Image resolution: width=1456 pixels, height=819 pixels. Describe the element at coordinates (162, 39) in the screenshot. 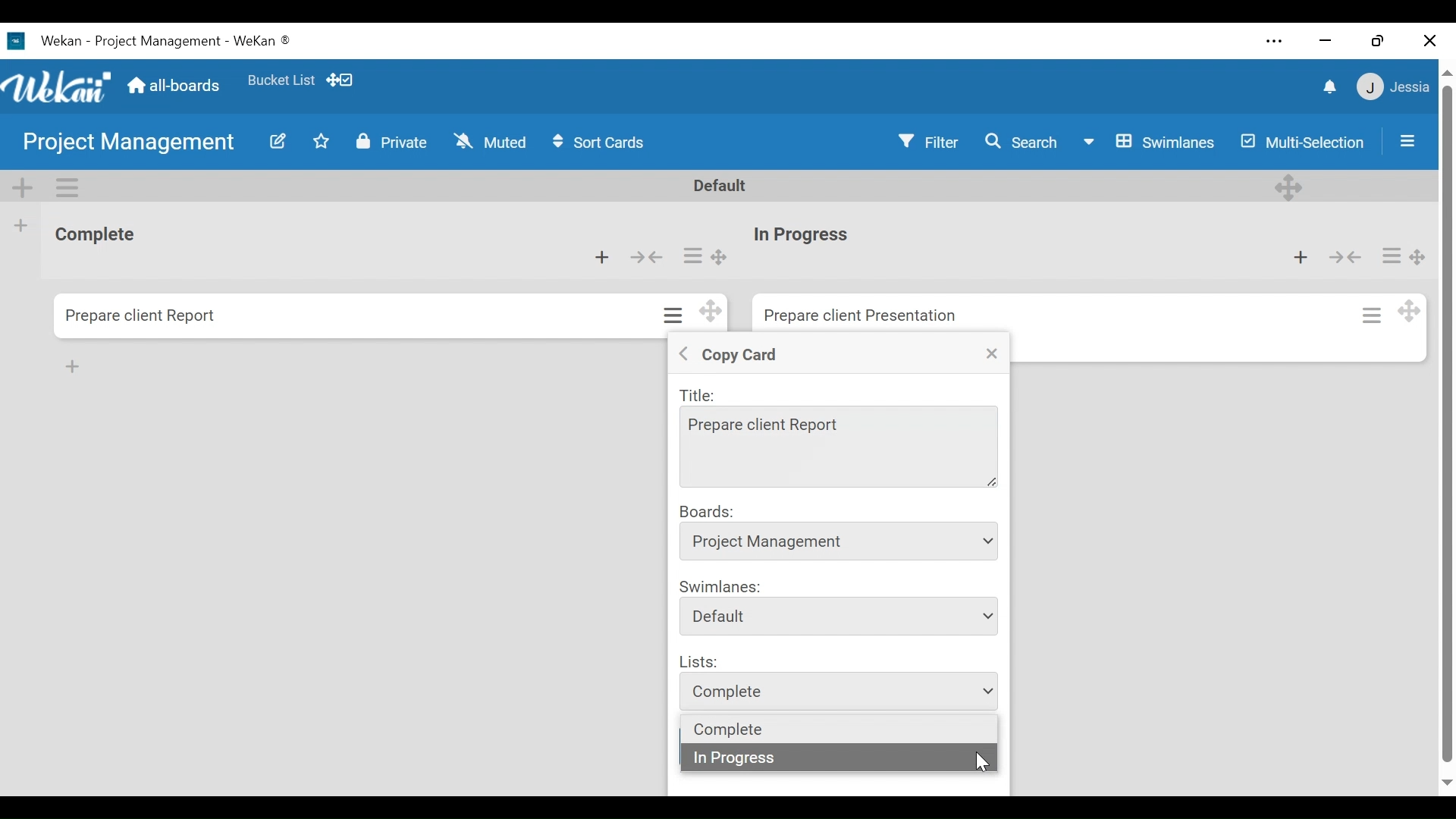

I see `Wekan Desktop Icon` at that location.